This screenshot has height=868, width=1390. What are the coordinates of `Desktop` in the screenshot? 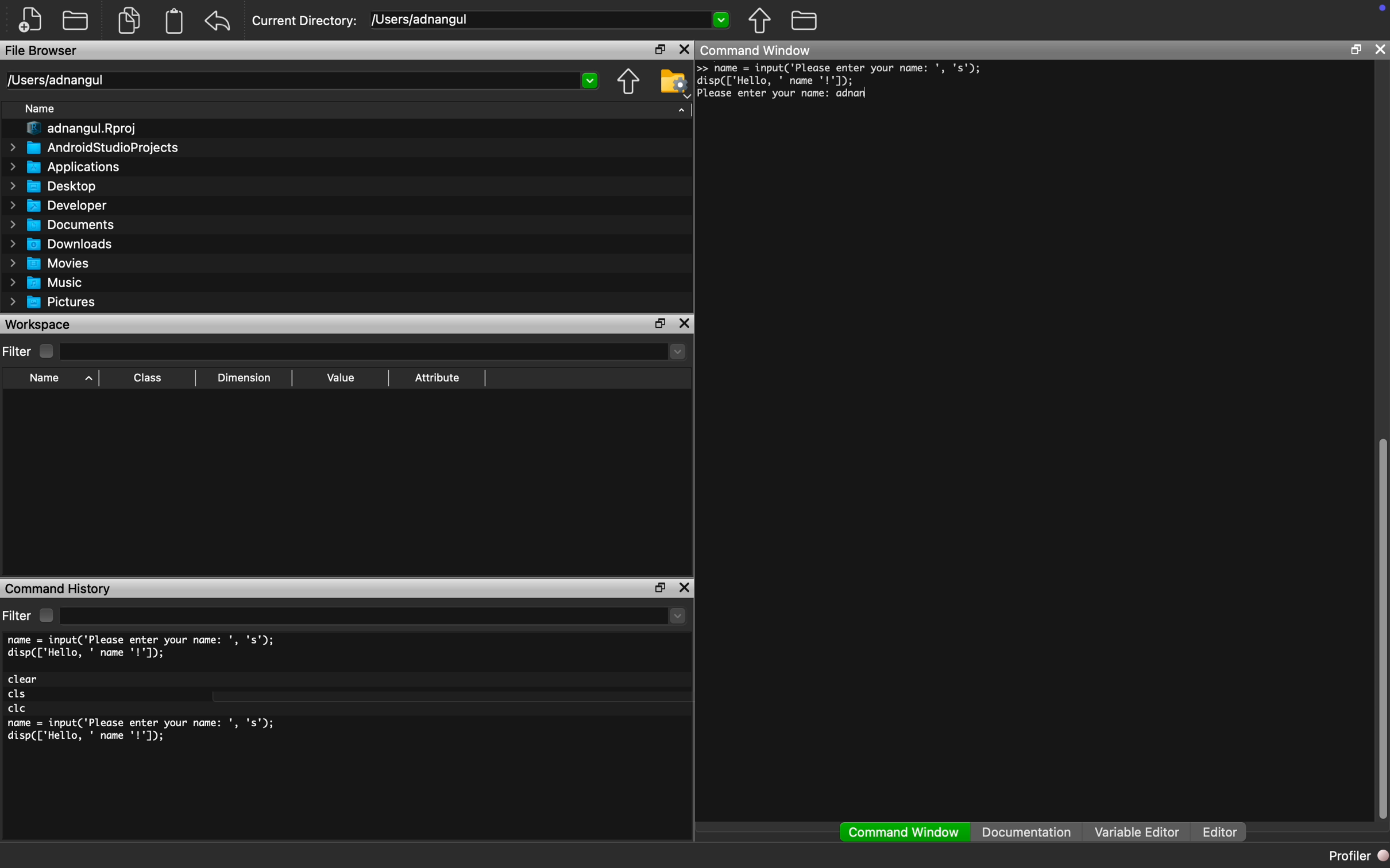 It's located at (53, 187).